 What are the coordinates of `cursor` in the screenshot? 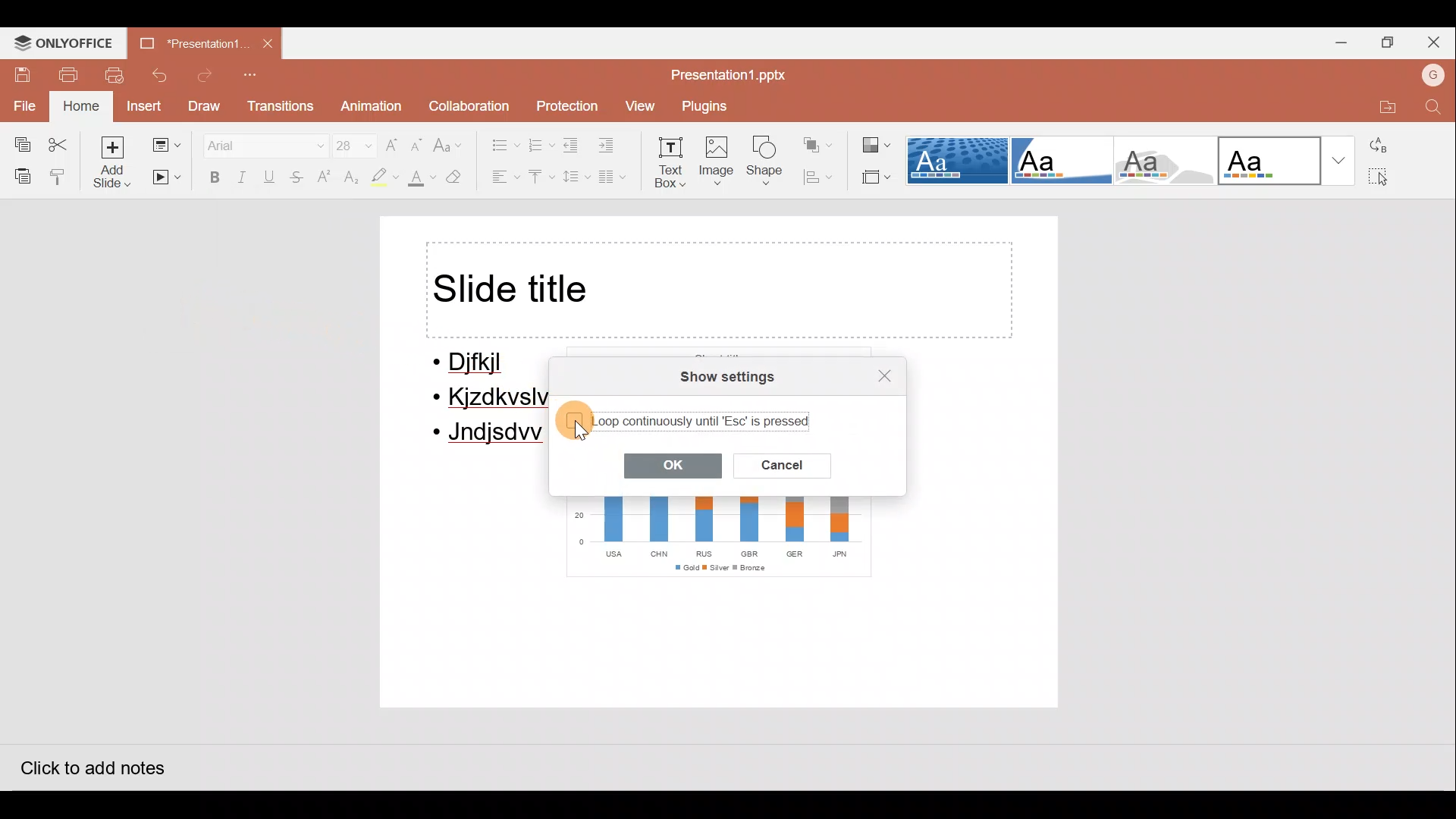 It's located at (586, 434).